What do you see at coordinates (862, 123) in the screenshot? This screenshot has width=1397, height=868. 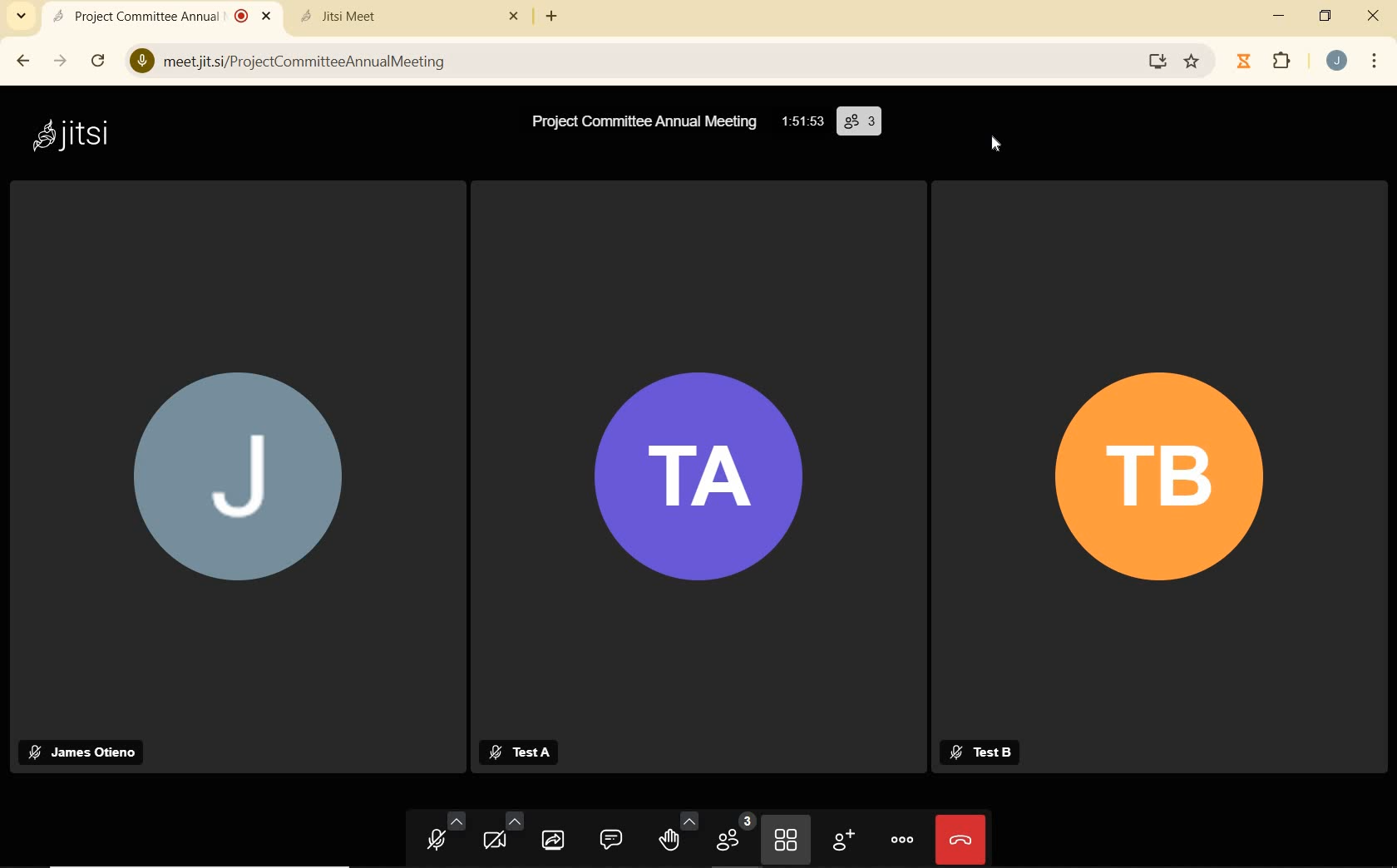 I see `participants (3)` at bounding box center [862, 123].